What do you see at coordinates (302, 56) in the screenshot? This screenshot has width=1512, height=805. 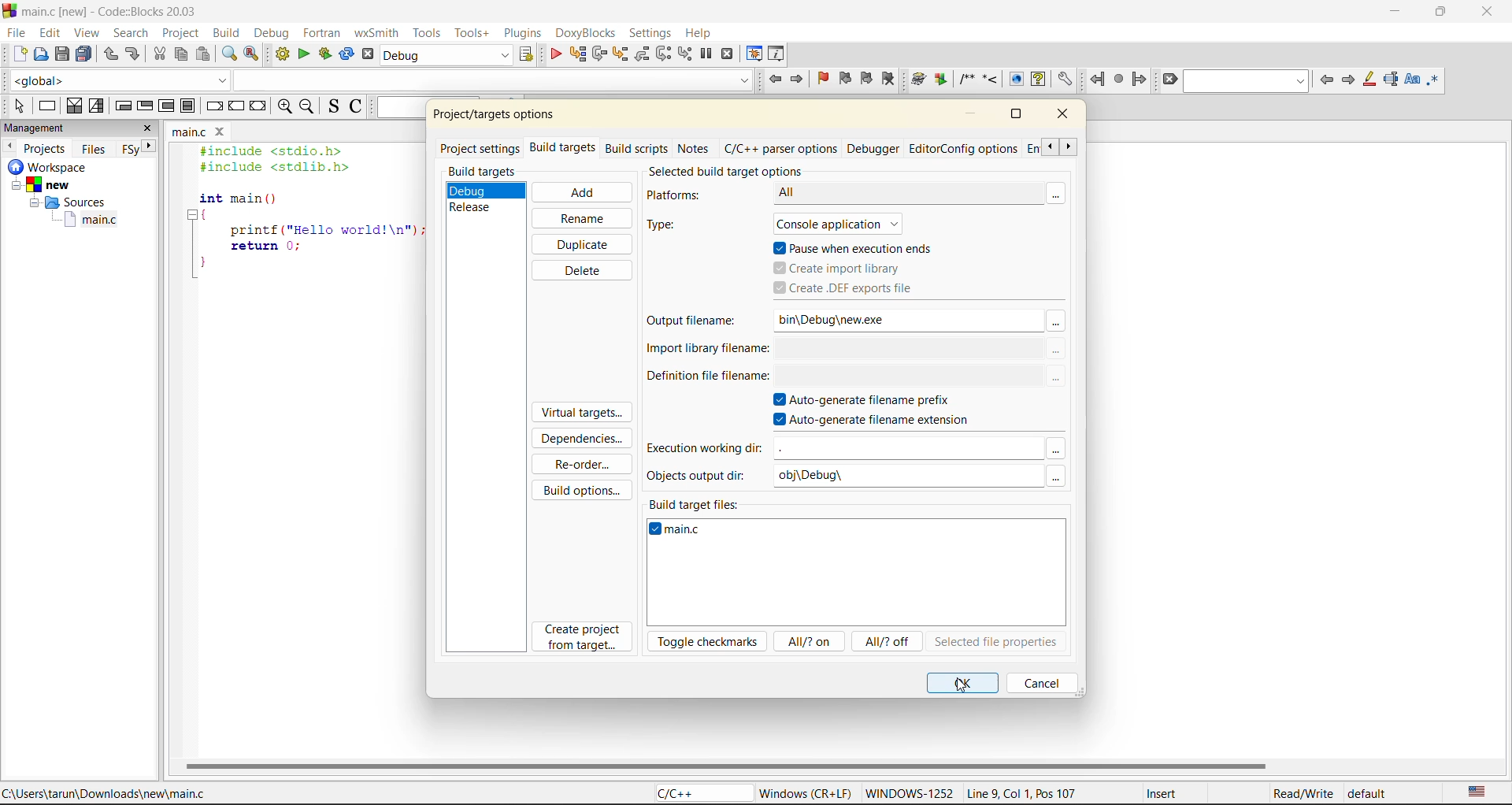 I see `run` at bounding box center [302, 56].